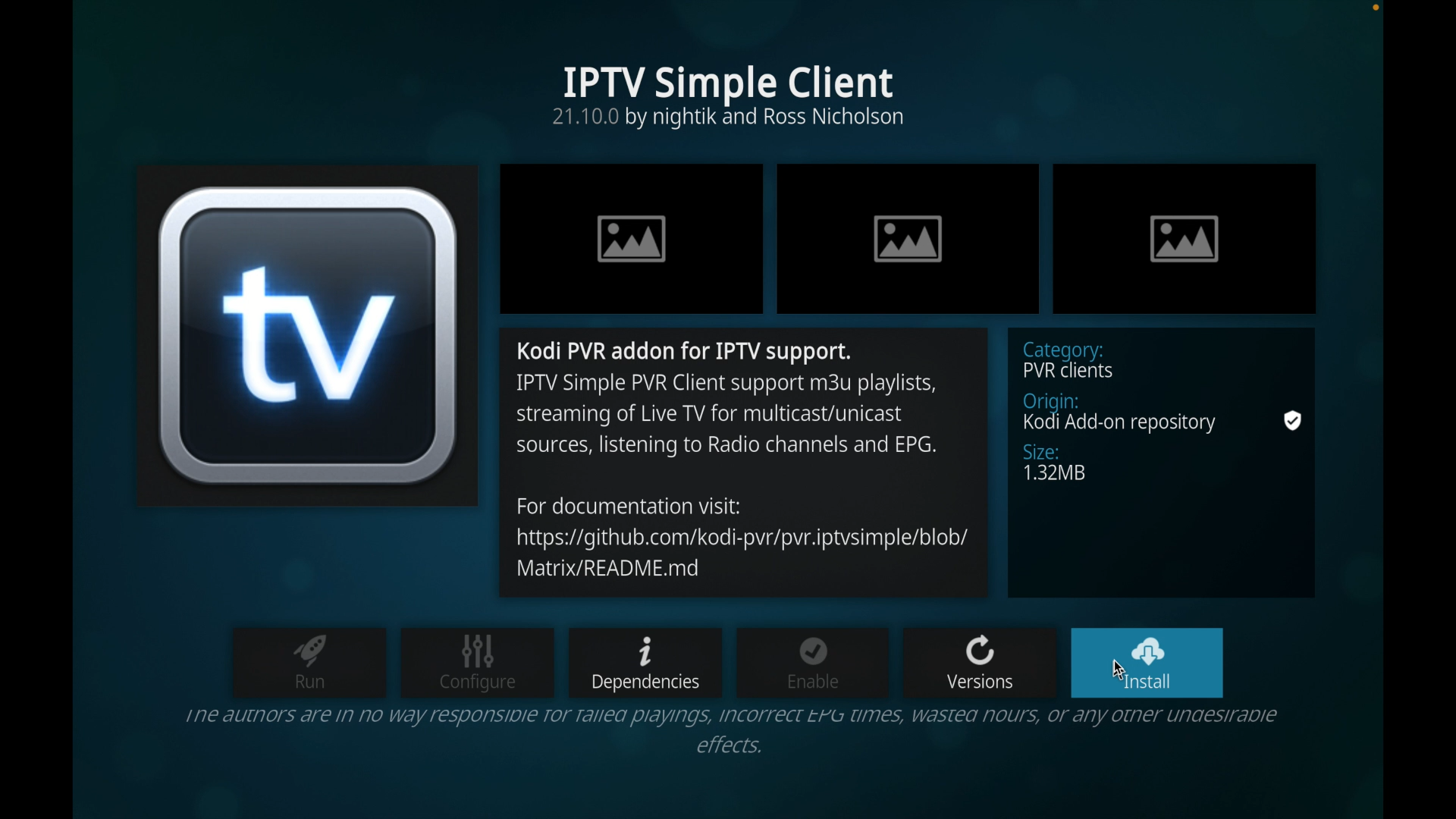  Describe the element at coordinates (1147, 663) in the screenshot. I see `install` at that location.